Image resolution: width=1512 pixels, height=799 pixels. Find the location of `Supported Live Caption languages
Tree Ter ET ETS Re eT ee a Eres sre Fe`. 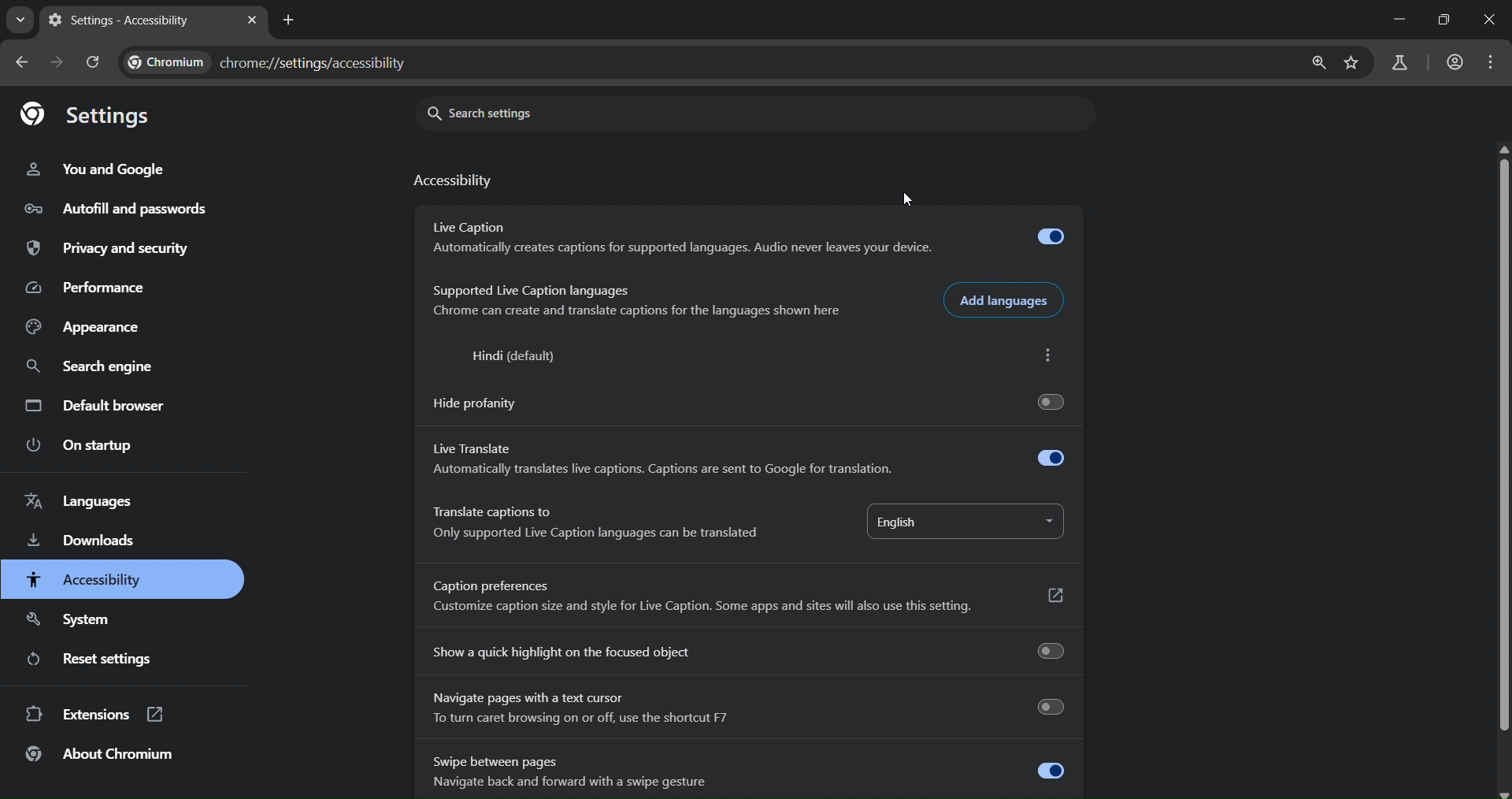

Supported Live Caption languages
Tree Ter ET ETS Re eT ee a Eres sre Fe is located at coordinates (637, 299).